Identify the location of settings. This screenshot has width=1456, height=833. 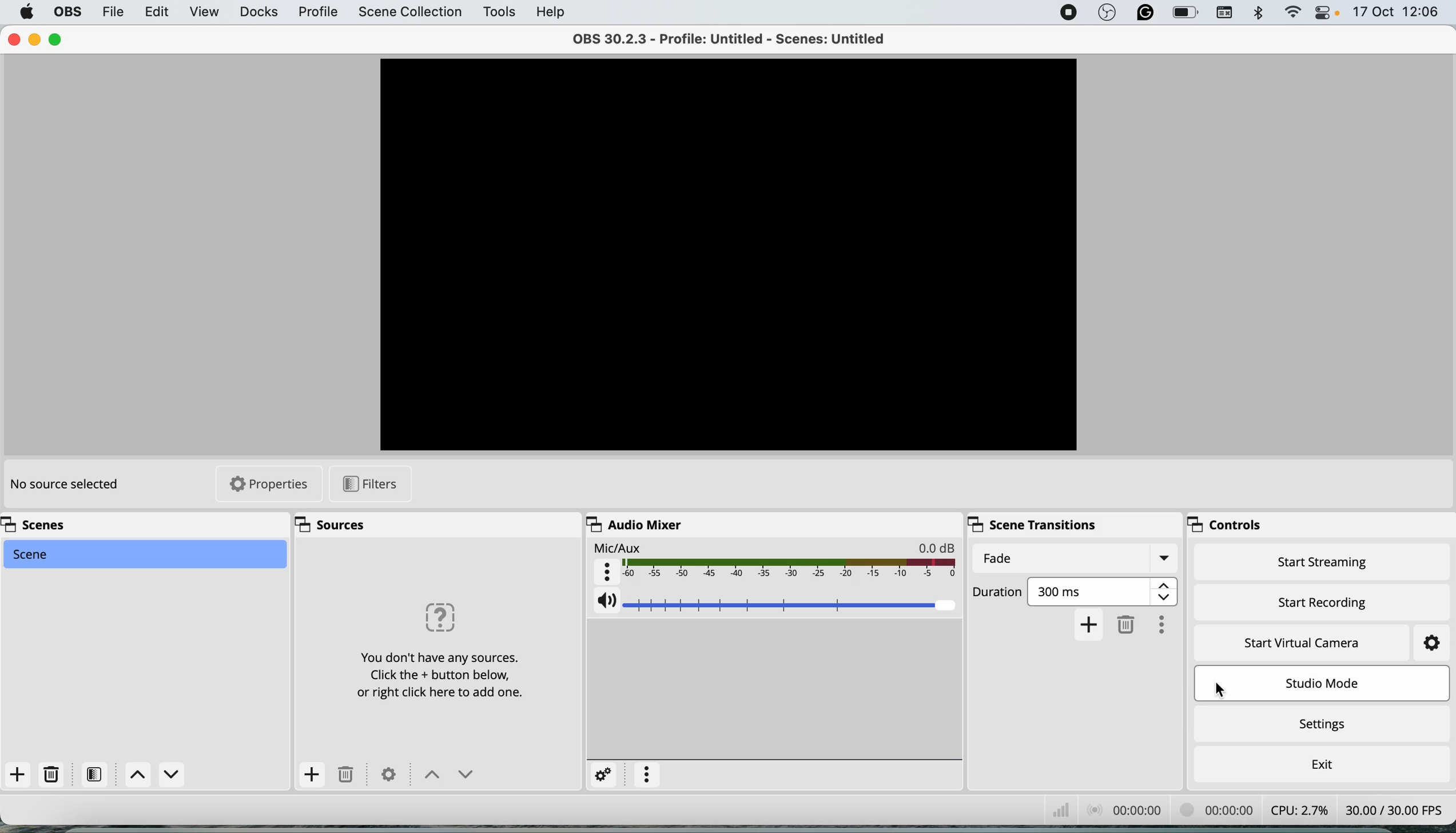
(1325, 722).